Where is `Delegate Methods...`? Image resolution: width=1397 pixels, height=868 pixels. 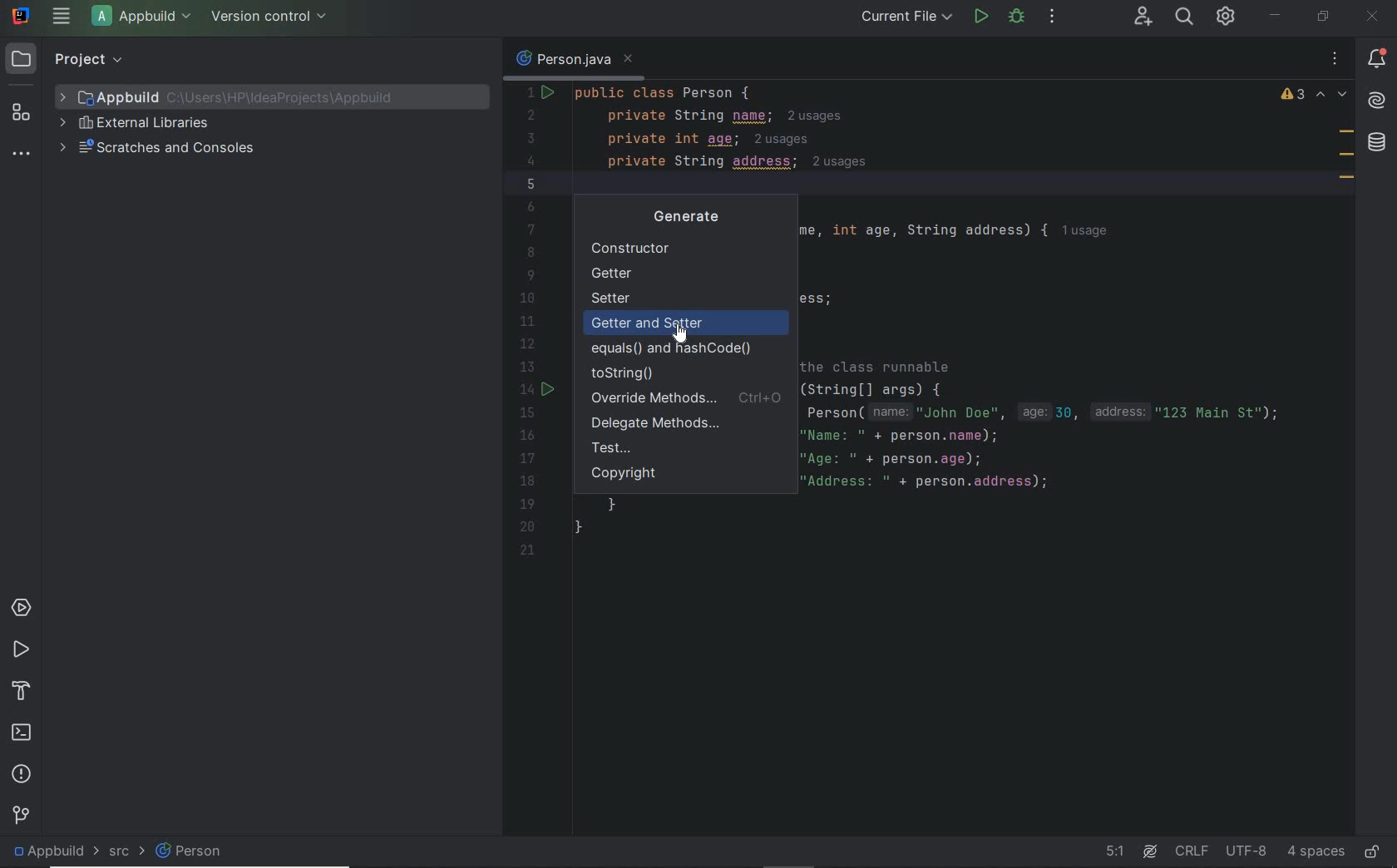
Delegate Methods... is located at coordinates (656, 423).